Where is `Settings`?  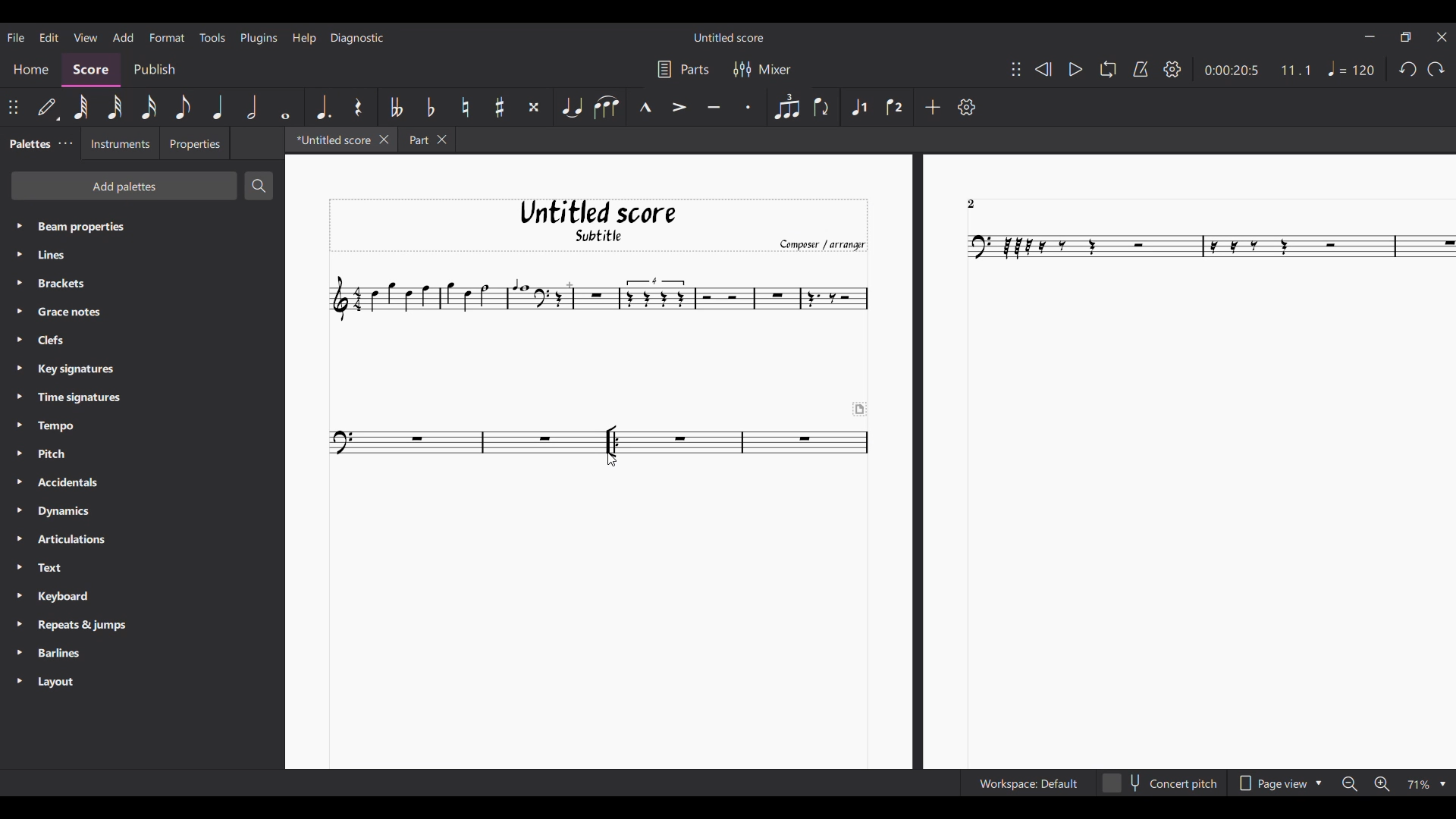
Settings is located at coordinates (967, 106).